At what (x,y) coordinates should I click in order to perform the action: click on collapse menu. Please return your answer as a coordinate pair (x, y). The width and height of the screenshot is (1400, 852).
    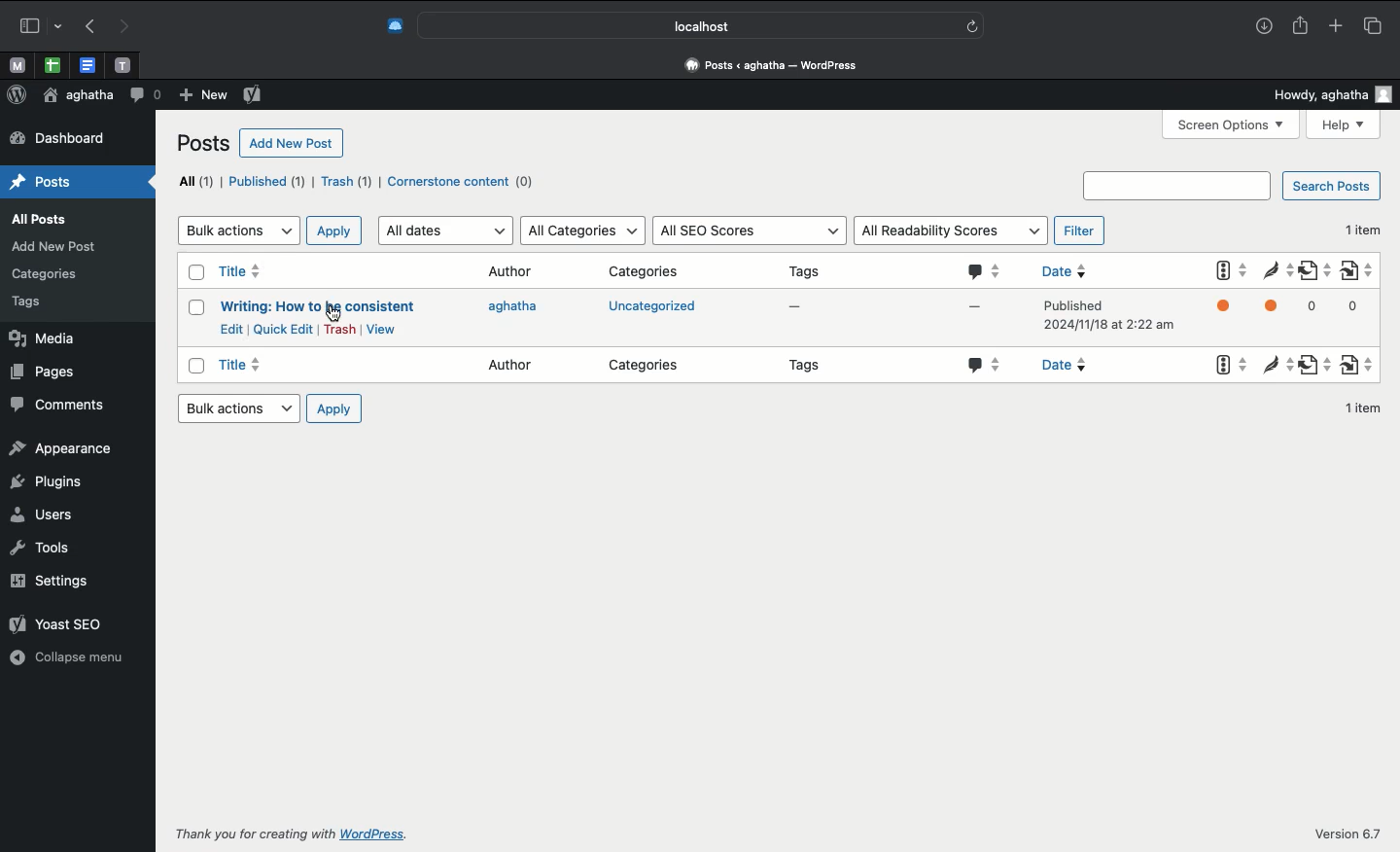
    Looking at the image, I should click on (69, 657).